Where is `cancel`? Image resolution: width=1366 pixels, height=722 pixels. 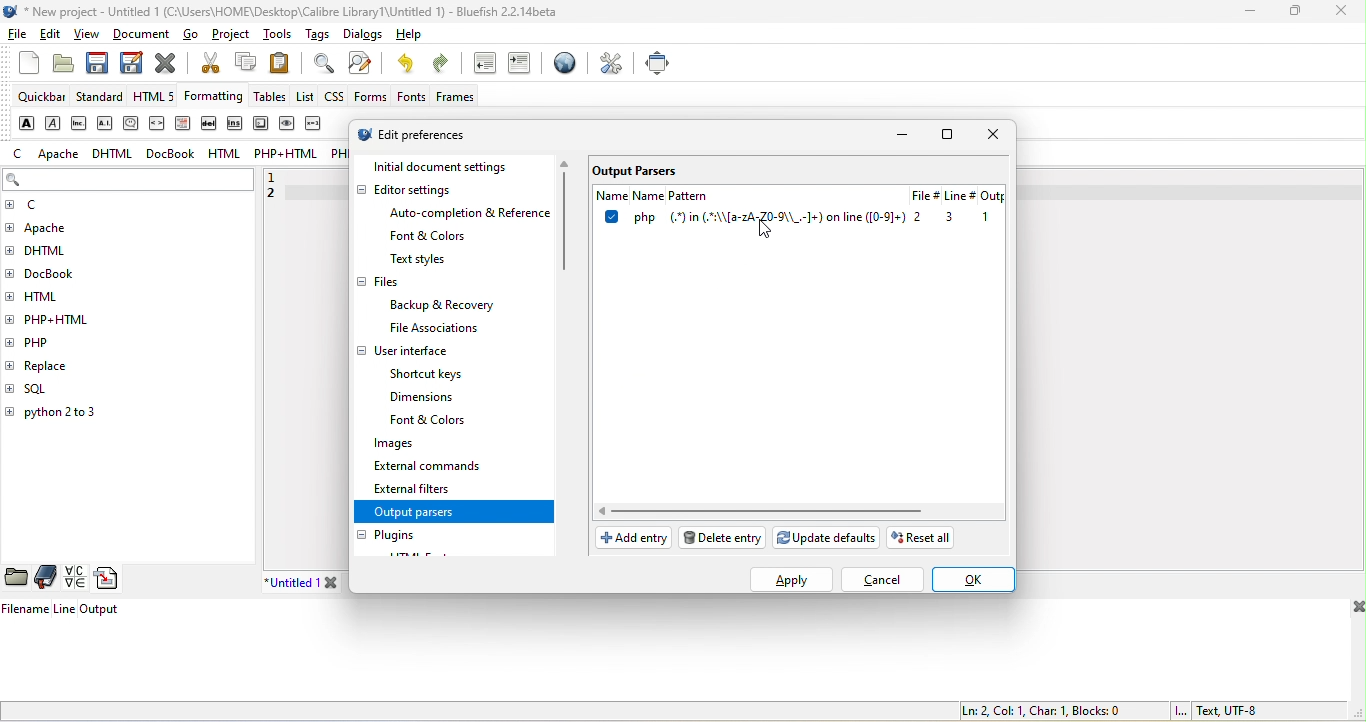
cancel is located at coordinates (889, 582).